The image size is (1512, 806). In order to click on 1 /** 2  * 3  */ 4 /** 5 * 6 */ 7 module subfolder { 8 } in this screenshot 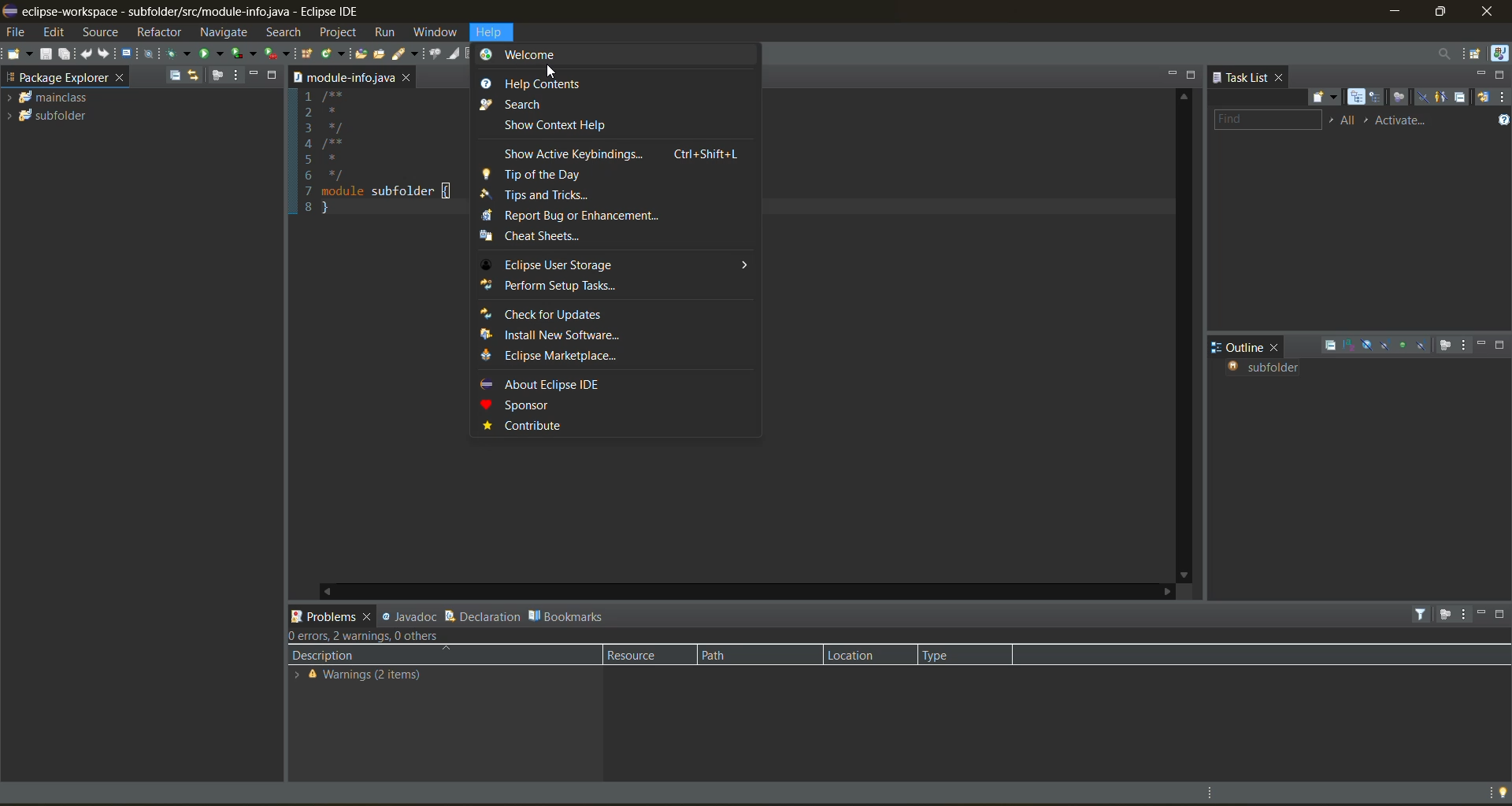, I will do `click(378, 164)`.